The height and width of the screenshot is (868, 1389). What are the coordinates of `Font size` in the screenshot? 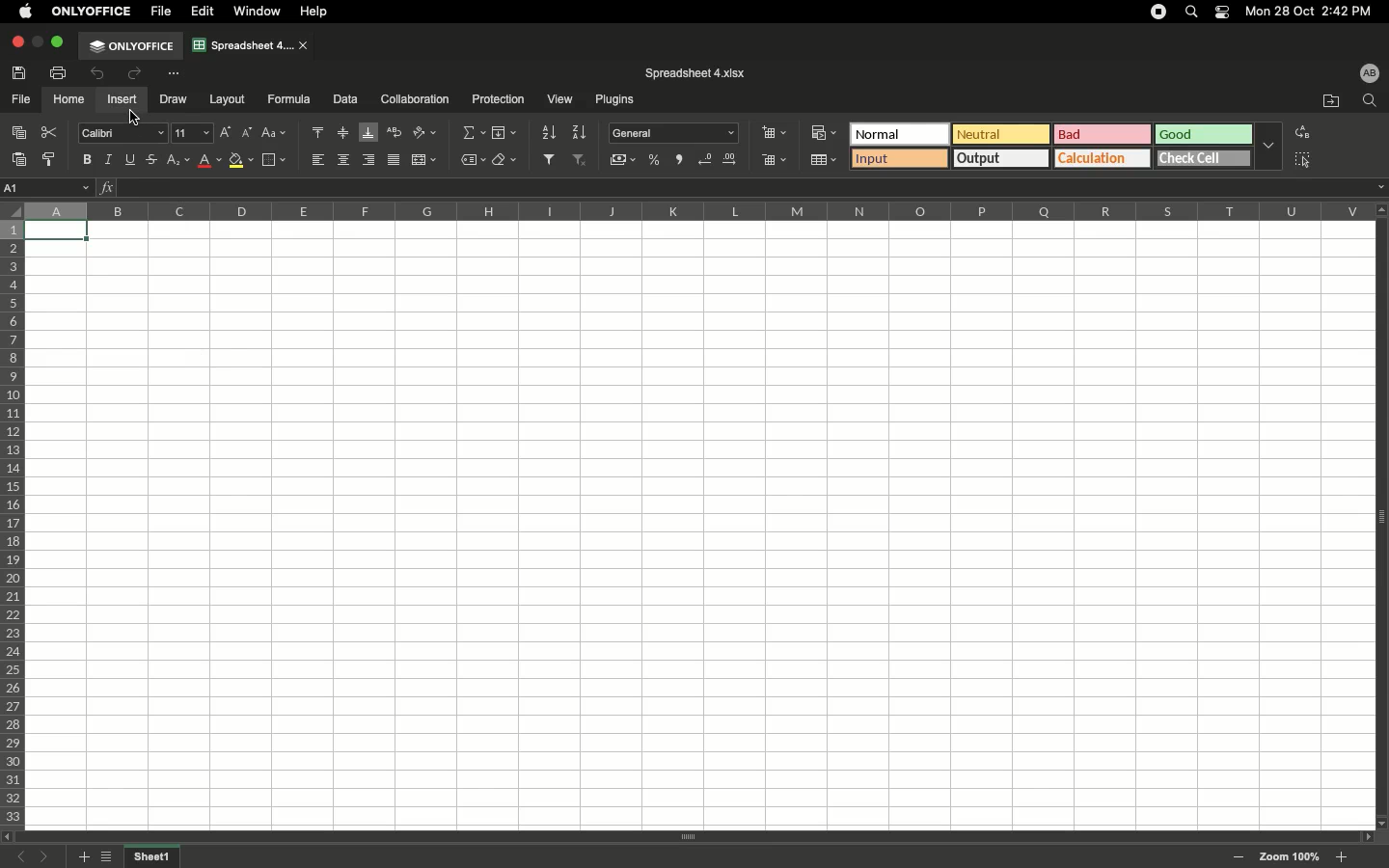 It's located at (195, 135).